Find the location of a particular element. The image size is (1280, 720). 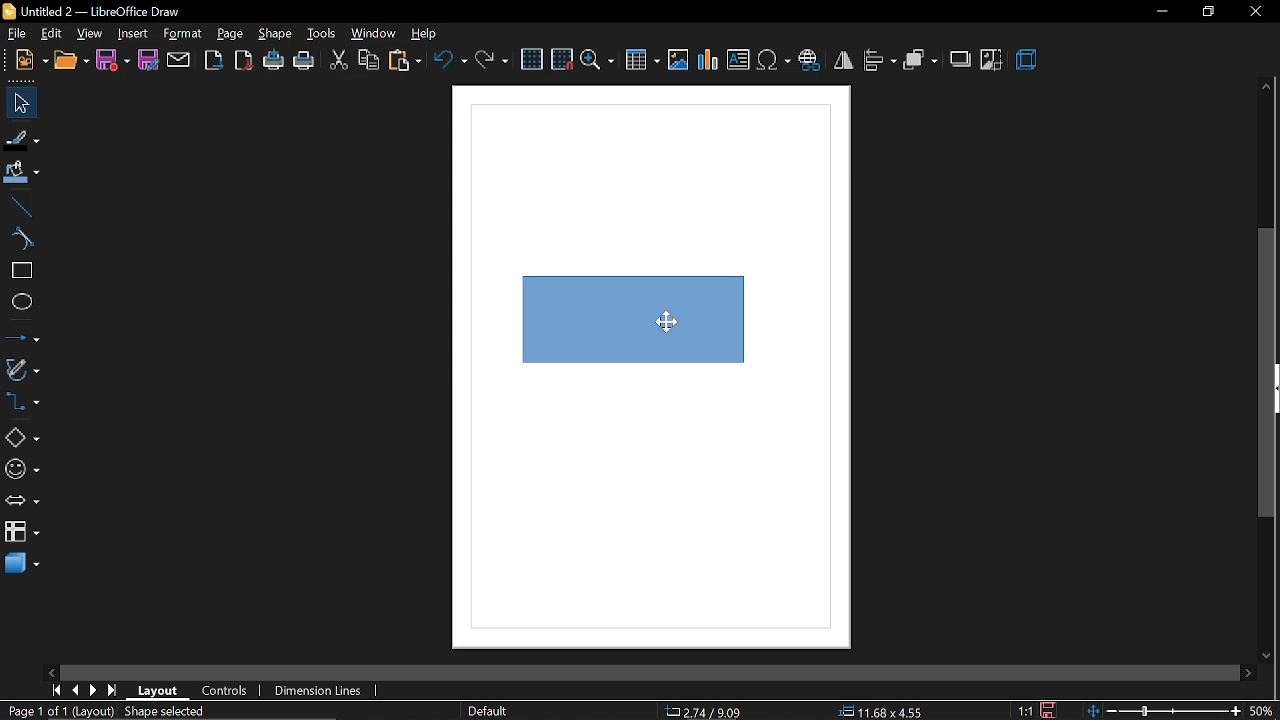

restore down is located at coordinates (1203, 12).